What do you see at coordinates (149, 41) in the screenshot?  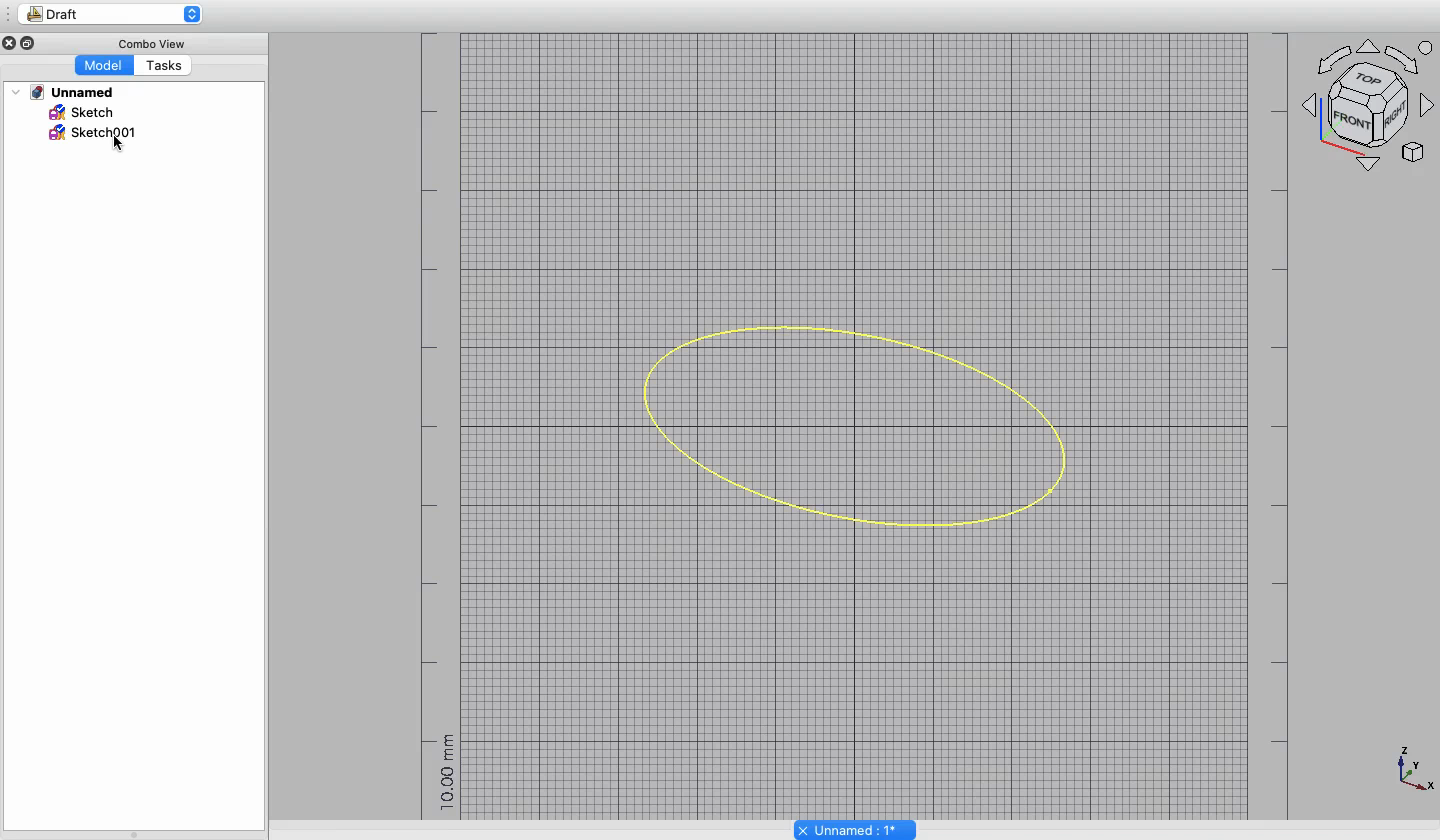 I see `Combo View` at bounding box center [149, 41].